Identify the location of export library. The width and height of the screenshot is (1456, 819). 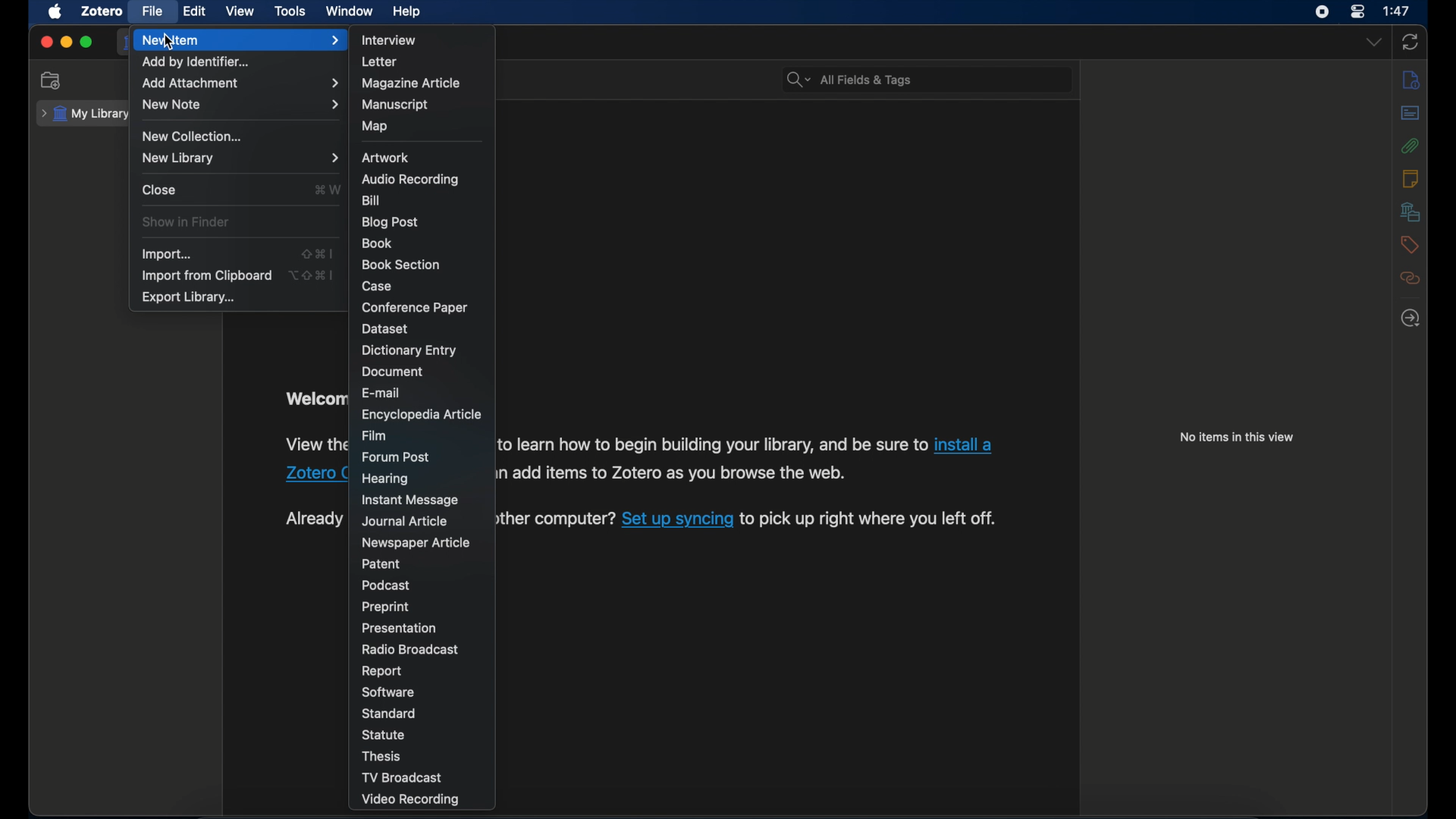
(190, 298).